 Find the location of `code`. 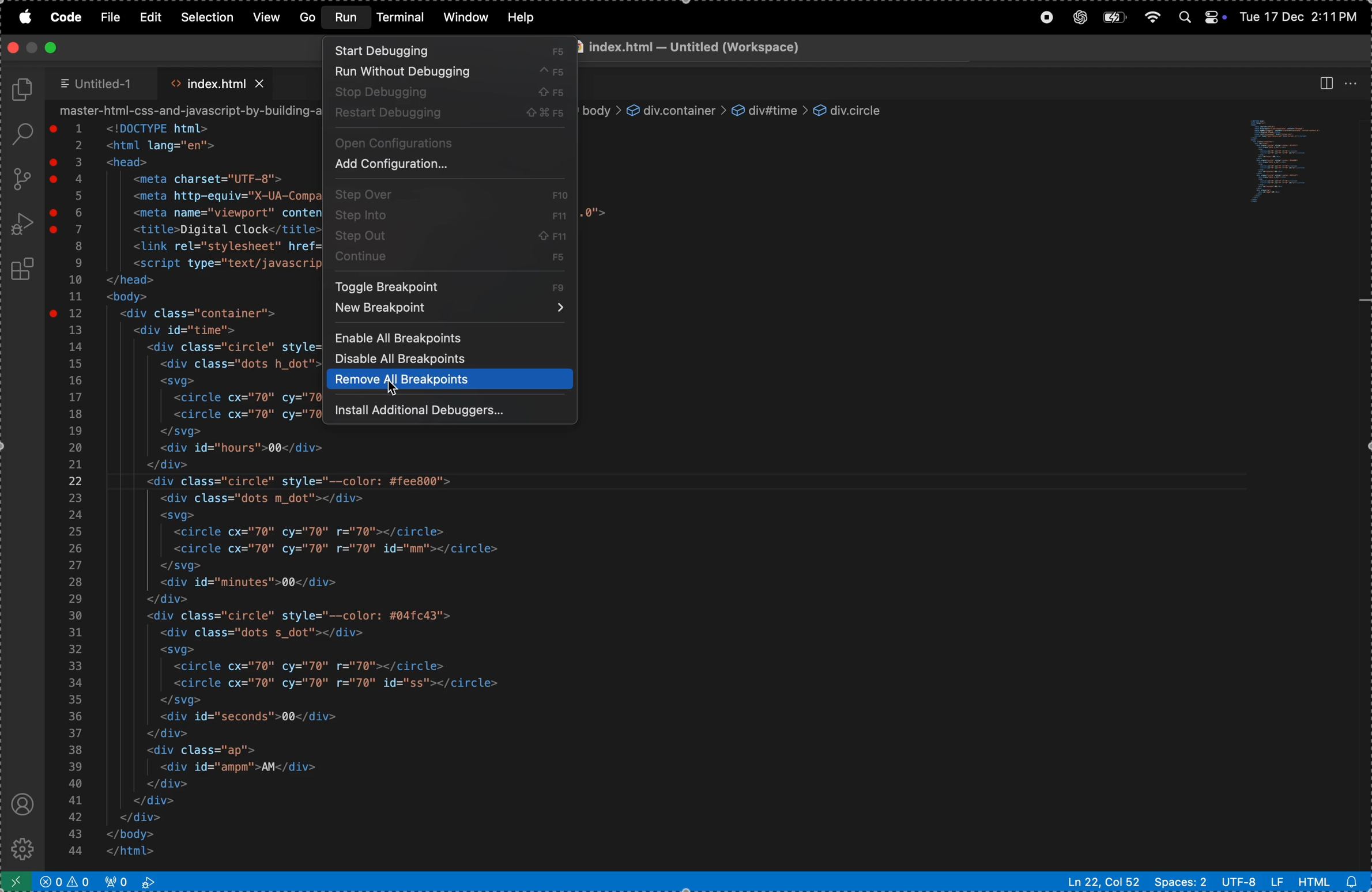

code is located at coordinates (69, 16).